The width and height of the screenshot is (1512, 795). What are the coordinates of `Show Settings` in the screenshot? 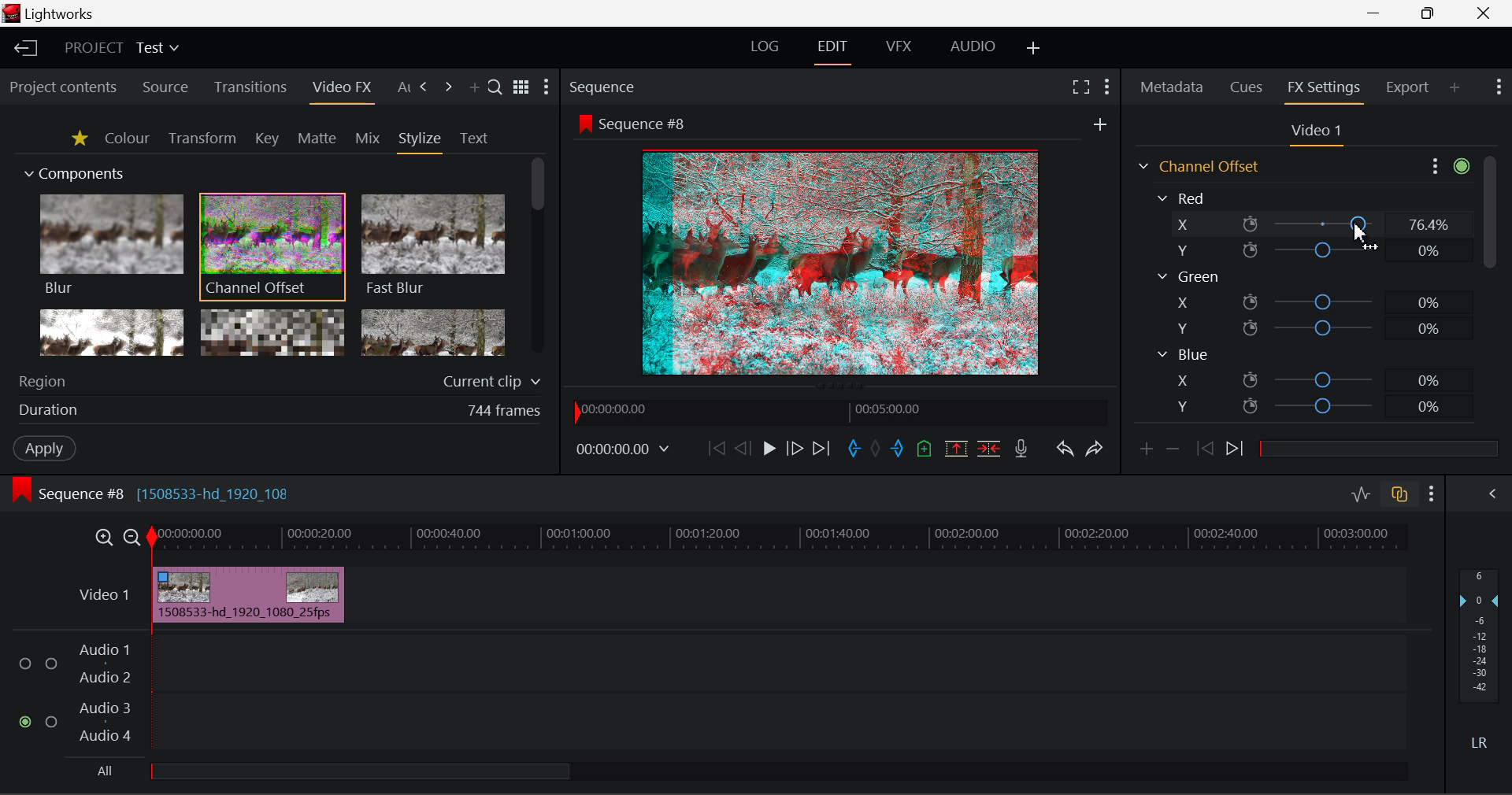 It's located at (1431, 494).